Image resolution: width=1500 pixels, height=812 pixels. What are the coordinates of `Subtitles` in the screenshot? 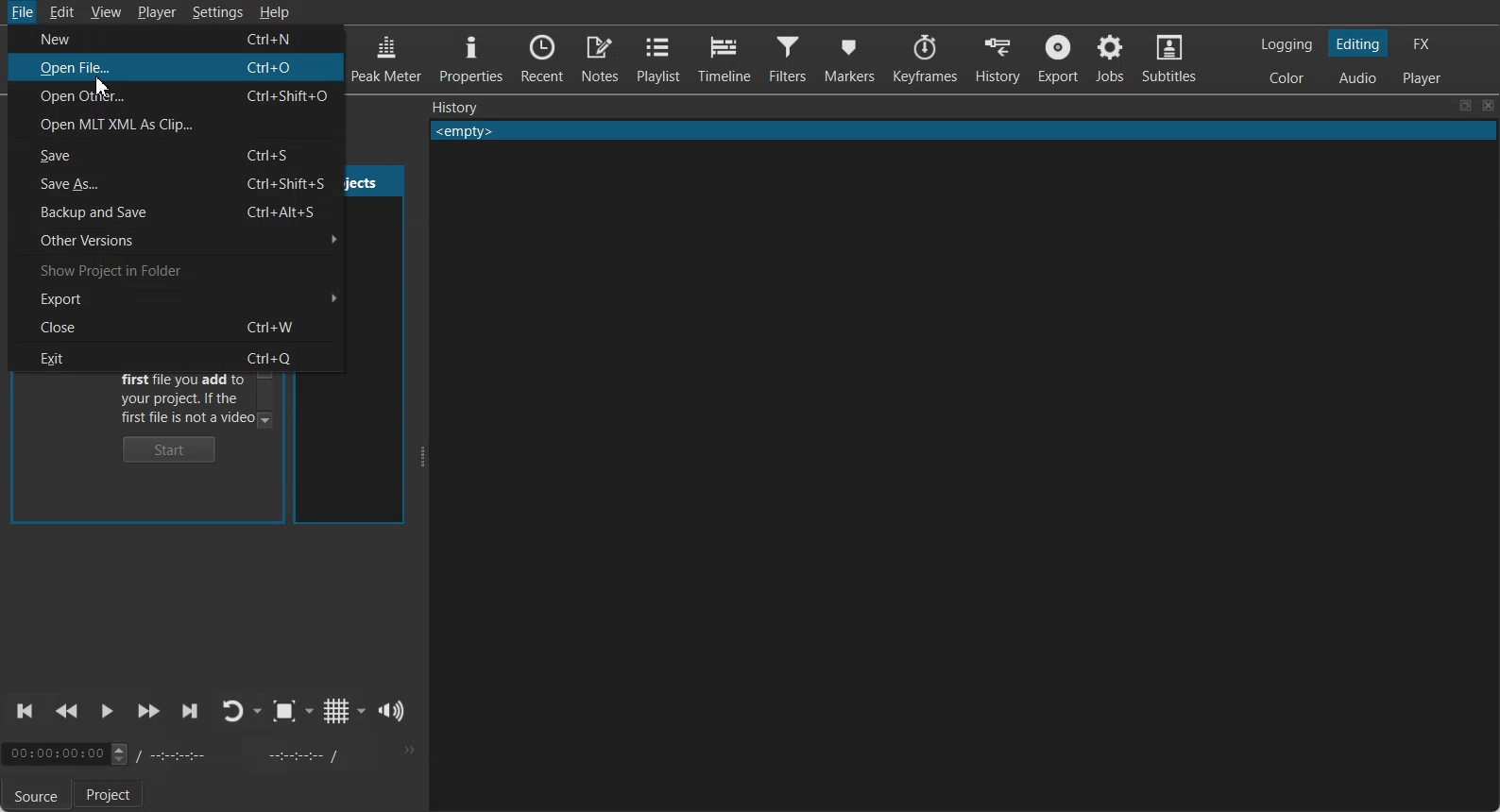 It's located at (1169, 57).